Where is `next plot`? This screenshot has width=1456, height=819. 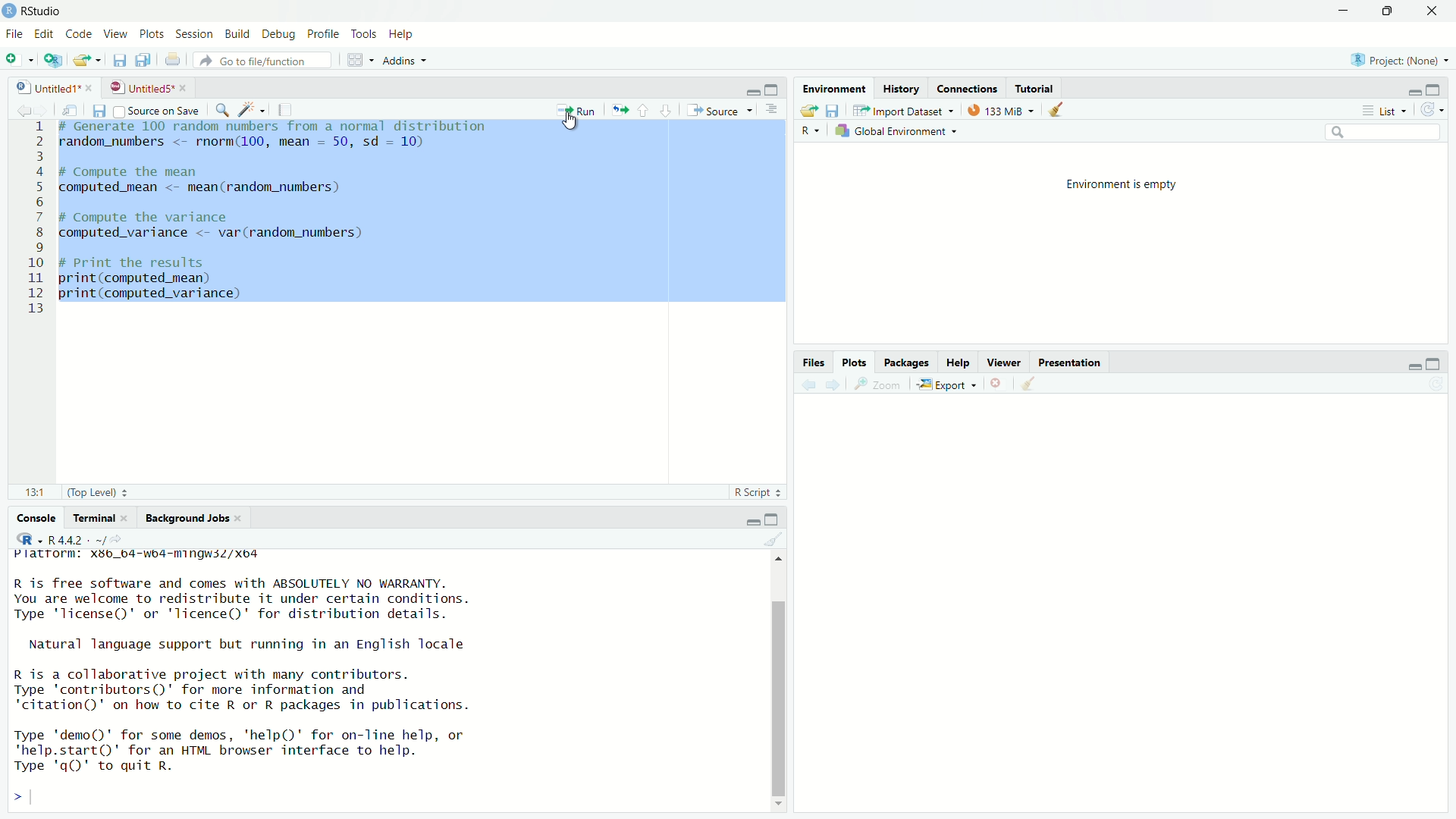 next plot is located at coordinates (836, 386).